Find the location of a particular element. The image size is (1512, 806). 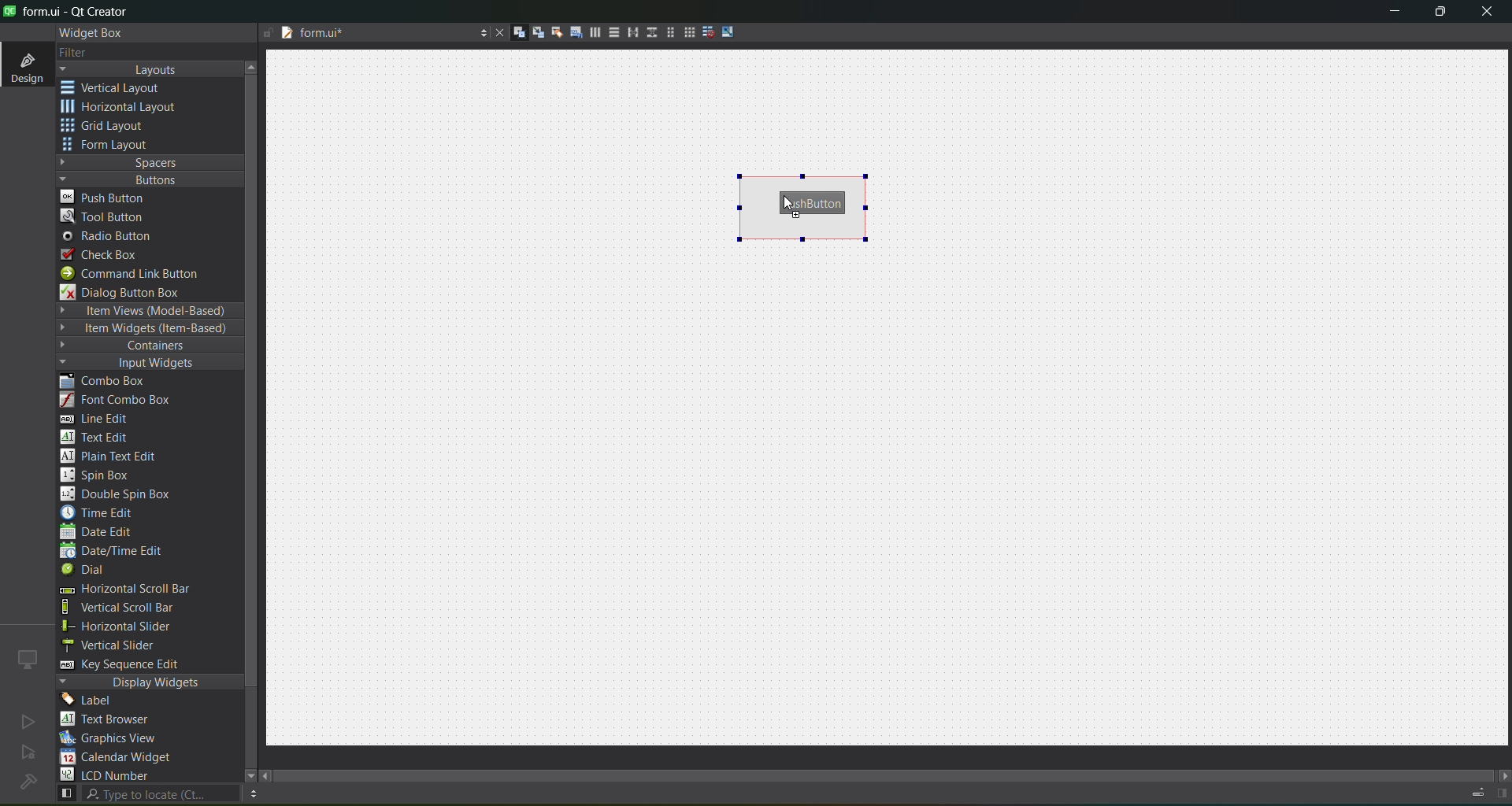

dial is located at coordinates (88, 571).